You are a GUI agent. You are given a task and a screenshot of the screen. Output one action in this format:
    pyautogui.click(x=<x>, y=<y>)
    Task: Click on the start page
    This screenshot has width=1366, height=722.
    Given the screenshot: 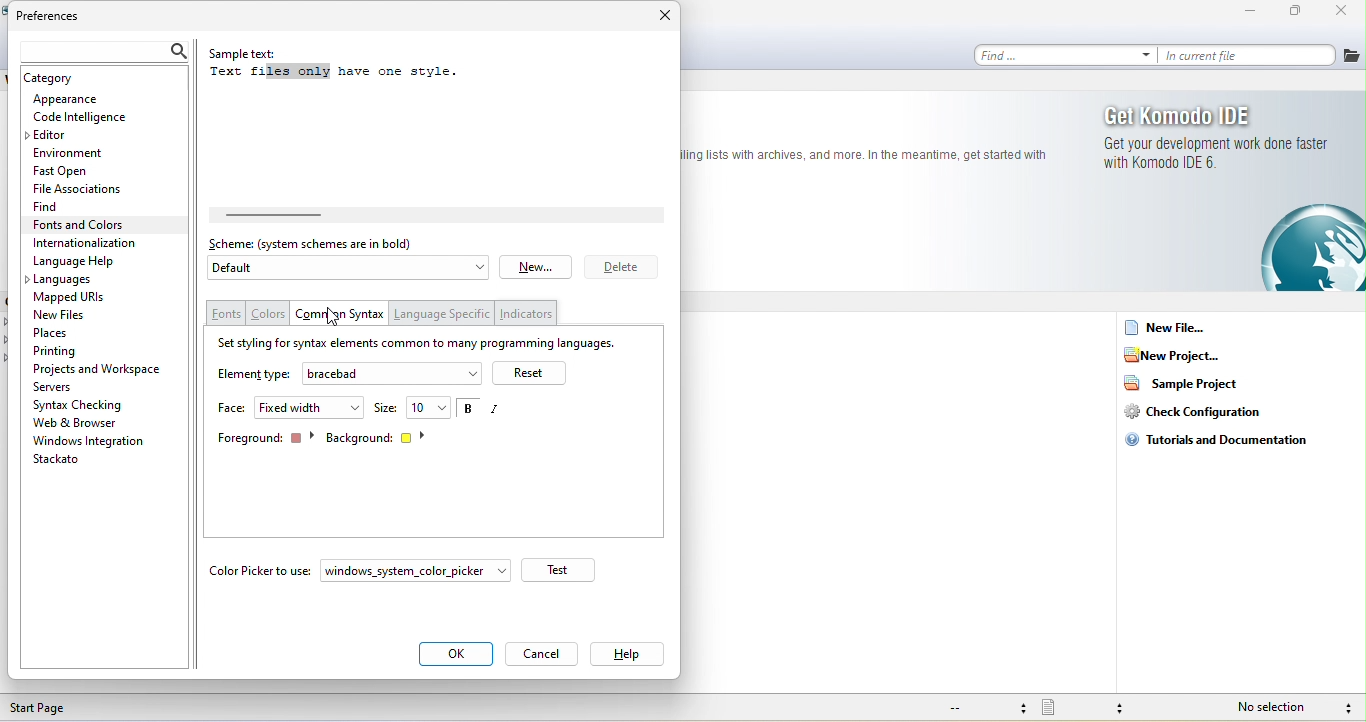 What is the action you would take?
    pyautogui.click(x=66, y=707)
    